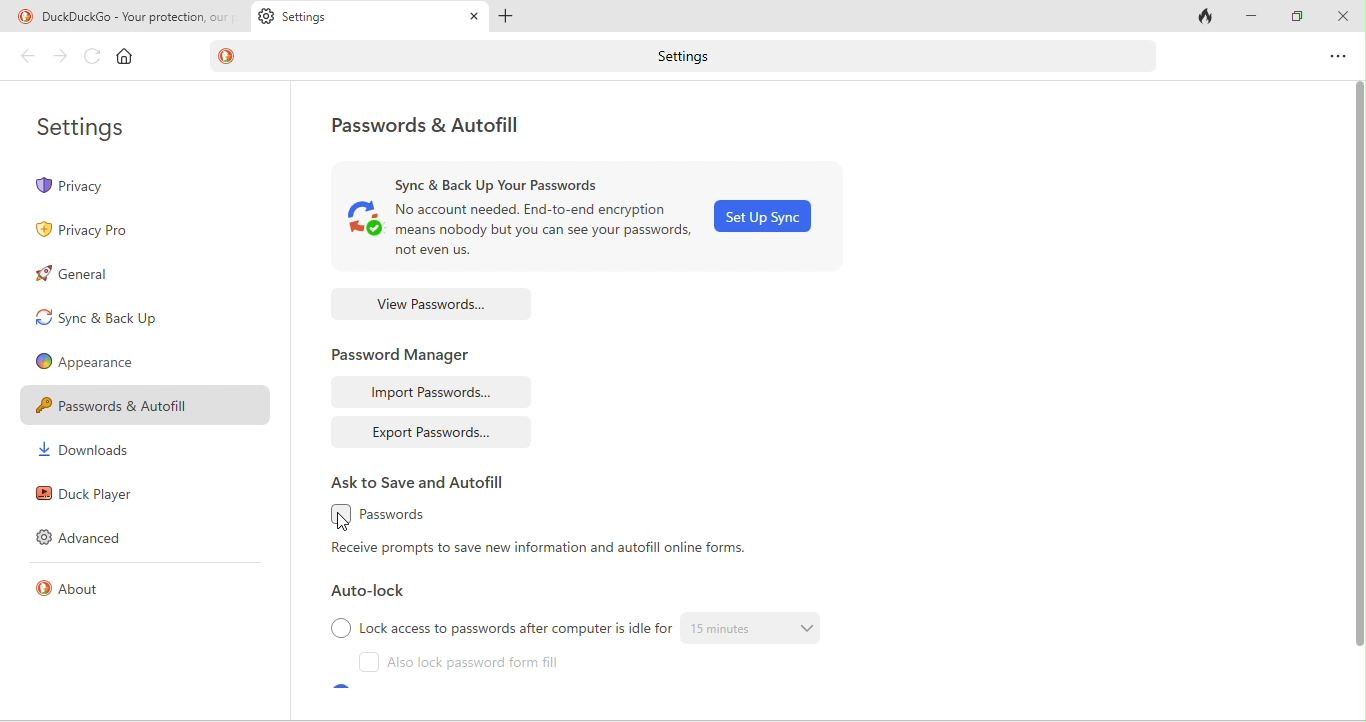 The width and height of the screenshot is (1366, 722). Describe the element at coordinates (106, 185) in the screenshot. I see `Privacy` at that location.